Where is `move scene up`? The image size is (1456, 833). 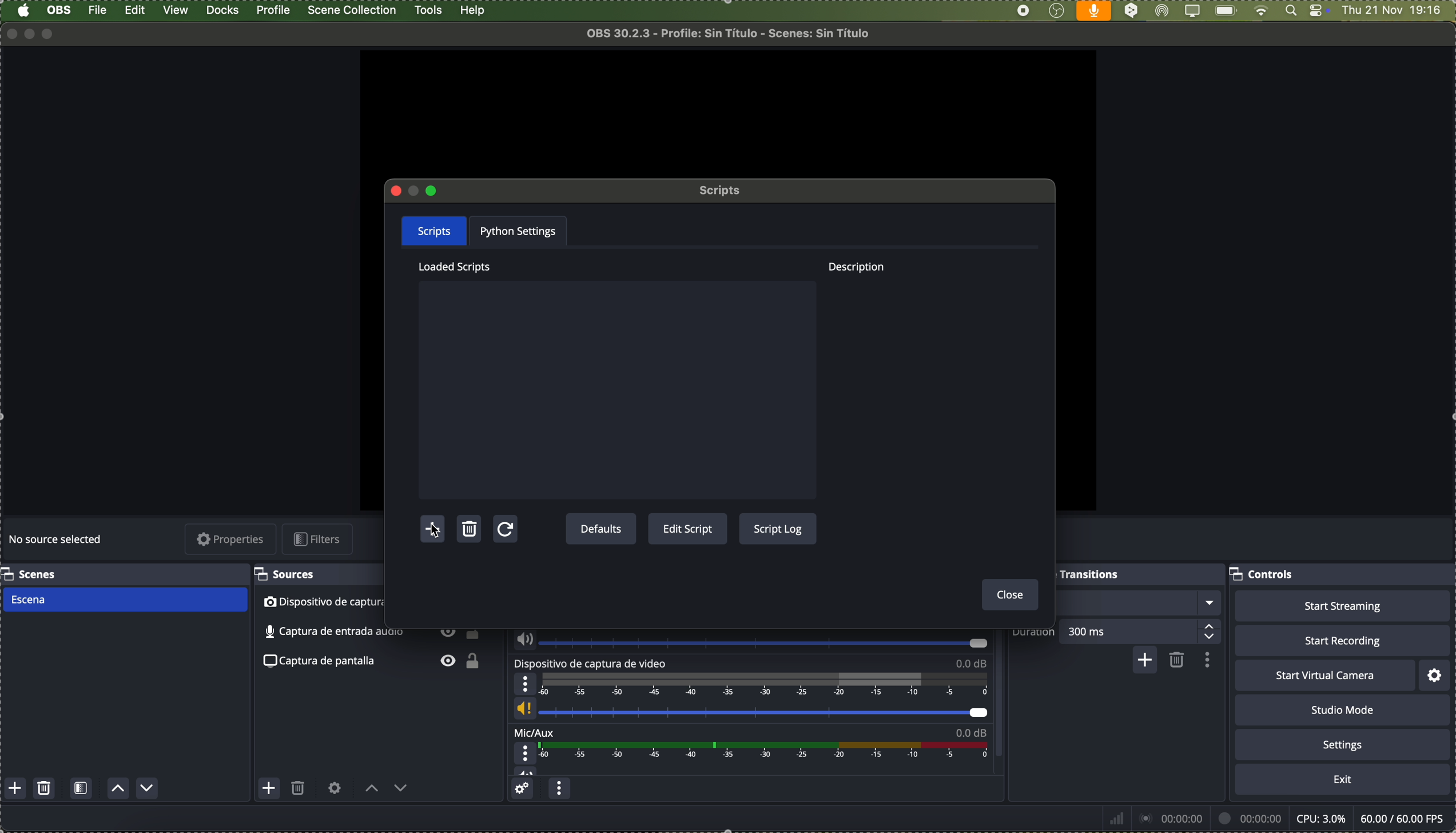
move scene up is located at coordinates (119, 790).